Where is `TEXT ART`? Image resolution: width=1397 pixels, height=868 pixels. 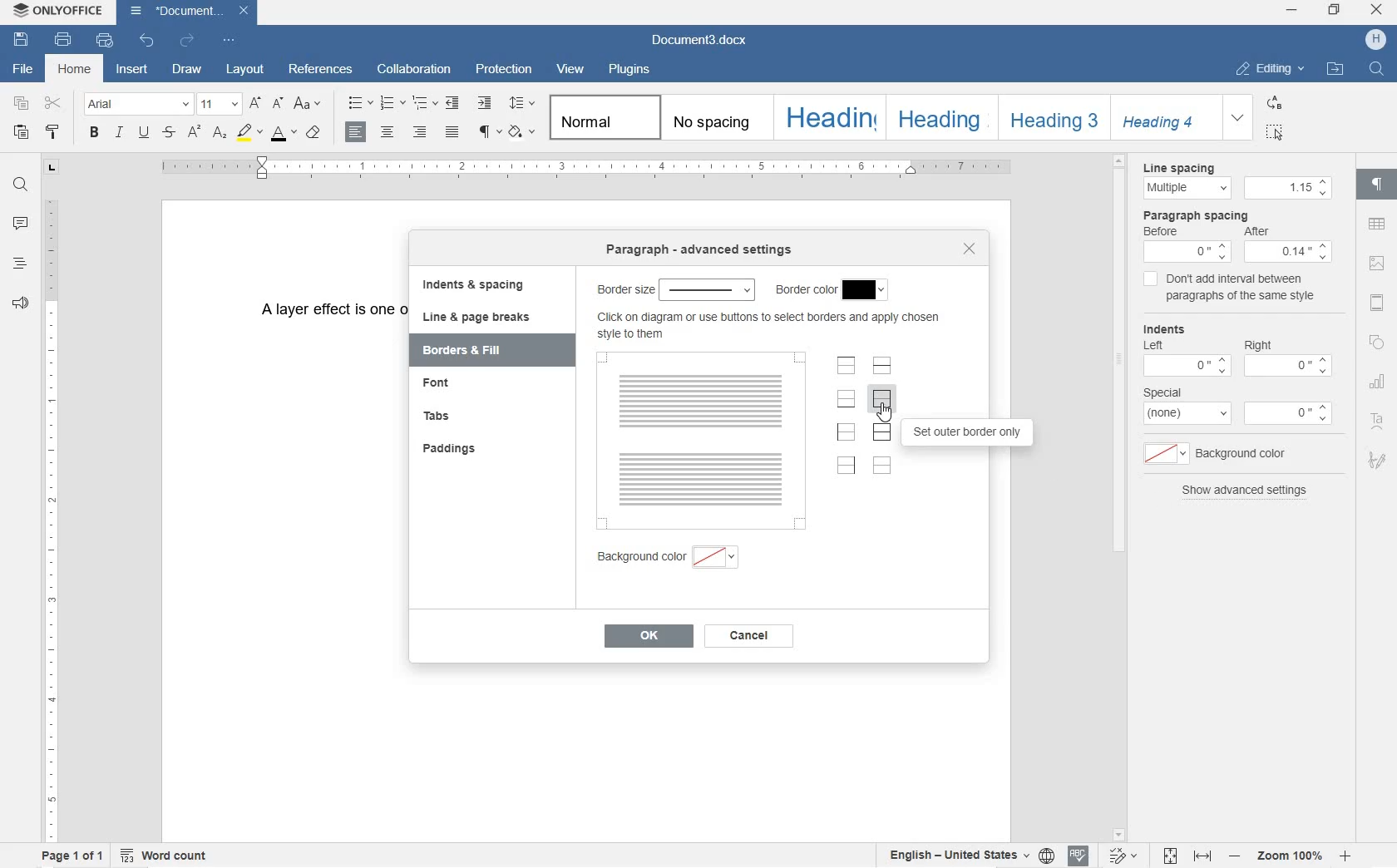 TEXT ART is located at coordinates (1377, 421).